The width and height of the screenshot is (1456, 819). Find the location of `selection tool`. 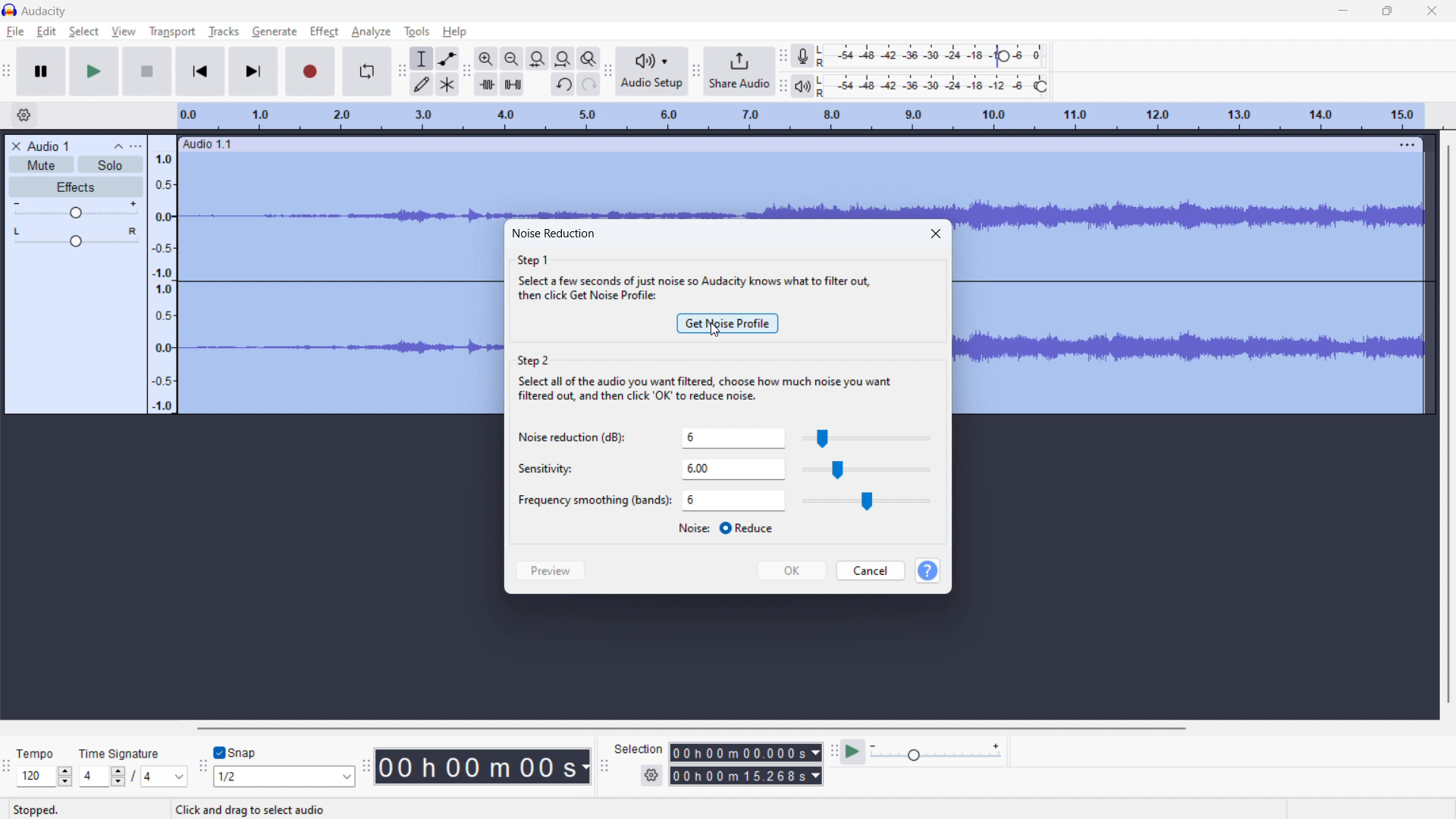

selection tool is located at coordinates (422, 58).